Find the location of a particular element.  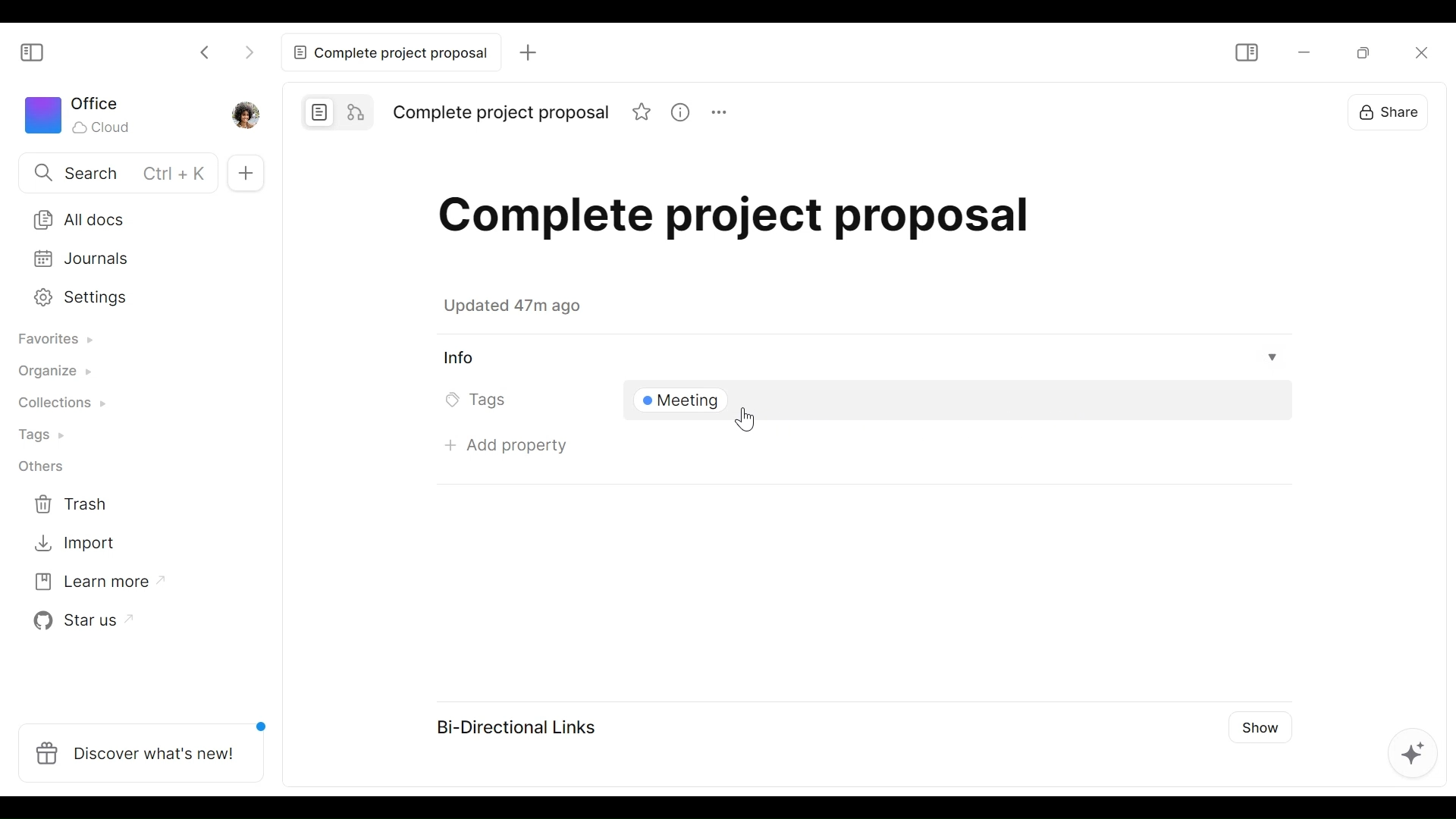

Others is located at coordinates (48, 469).